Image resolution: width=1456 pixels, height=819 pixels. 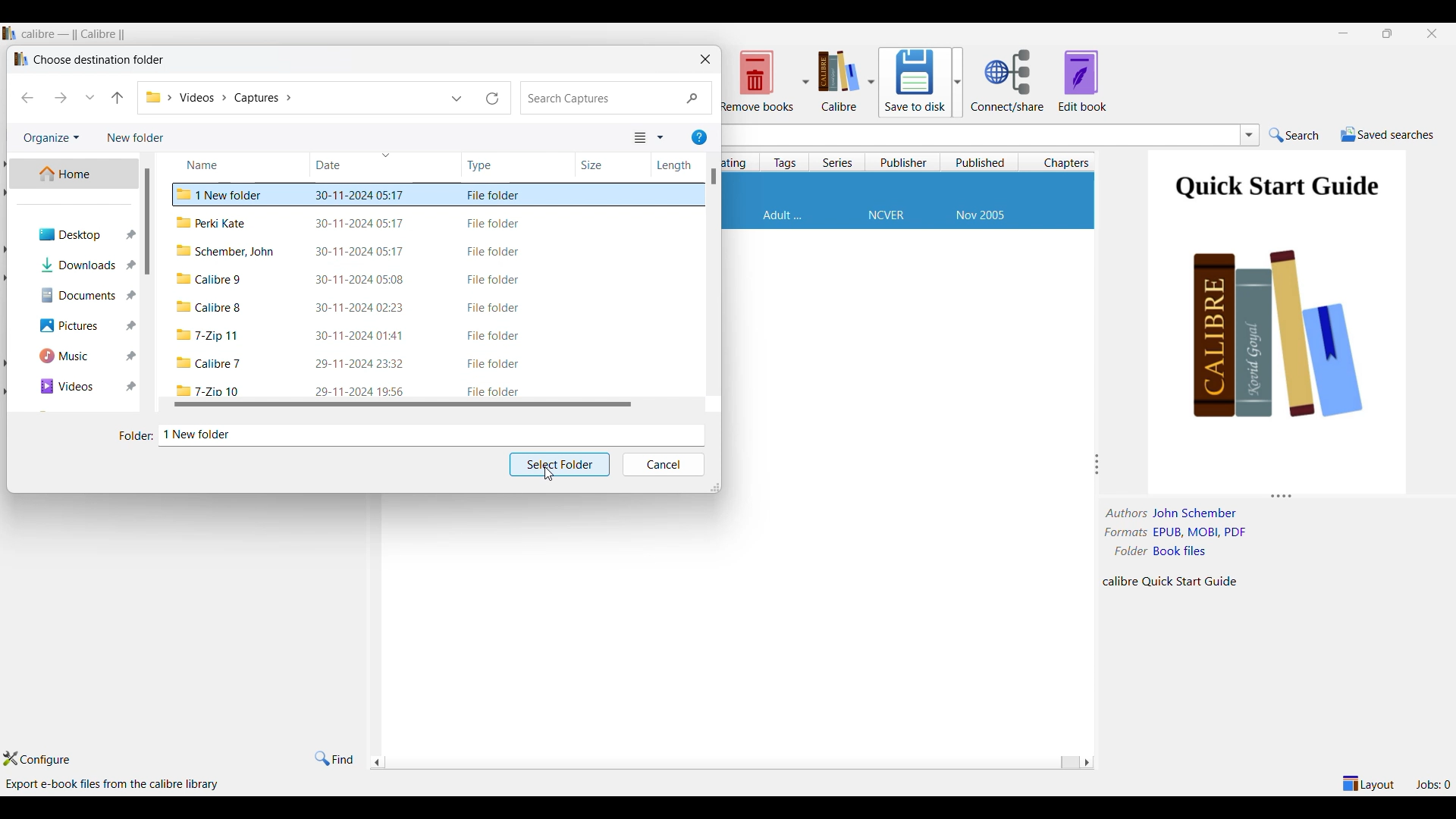 I want to click on Close, so click(x=705, y=58).